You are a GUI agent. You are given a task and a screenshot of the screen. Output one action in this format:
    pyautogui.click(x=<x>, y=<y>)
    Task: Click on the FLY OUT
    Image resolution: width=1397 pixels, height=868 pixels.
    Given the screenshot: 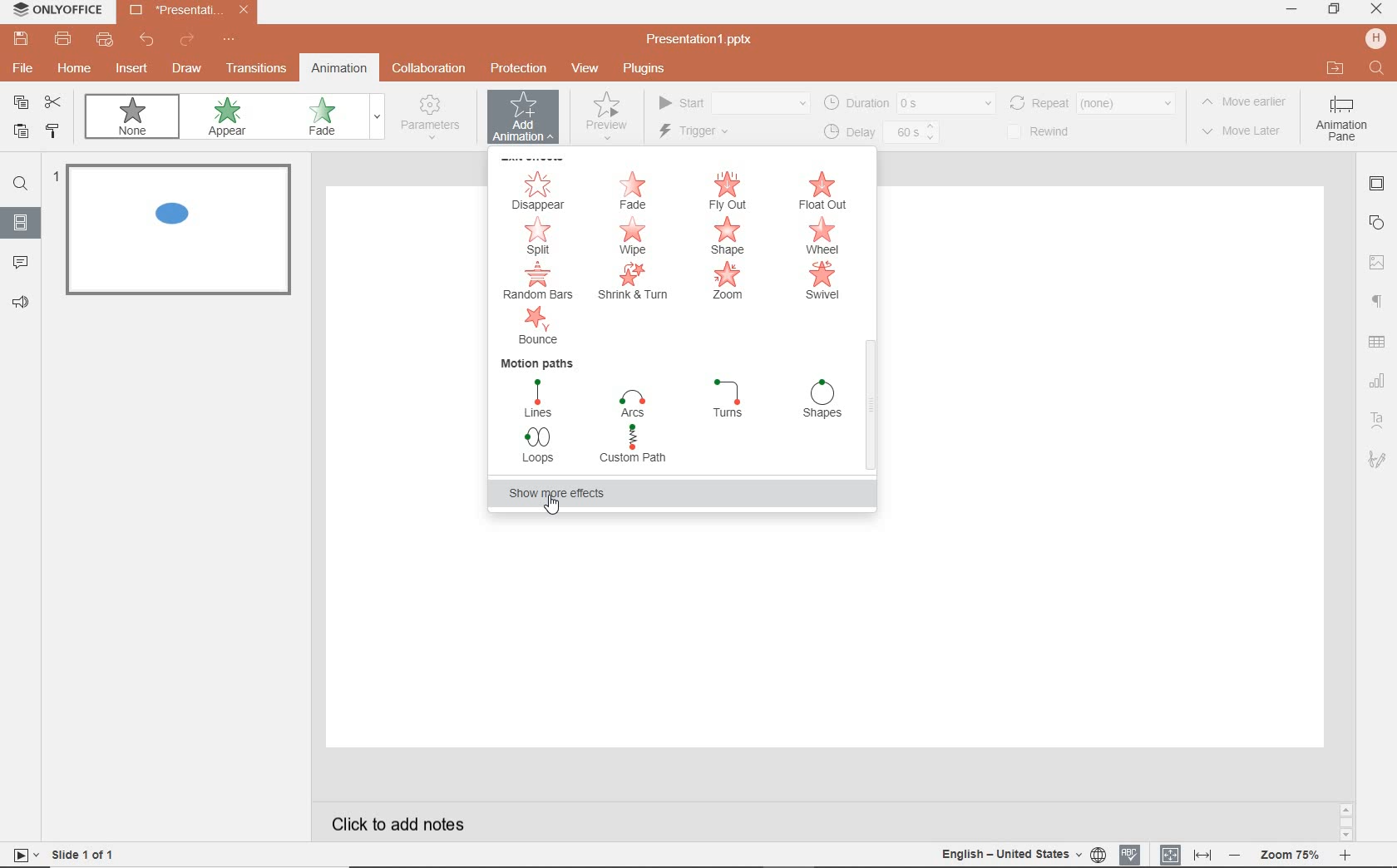 What is the action you would take?
    pyautogui.click(x=730, y=191)
    